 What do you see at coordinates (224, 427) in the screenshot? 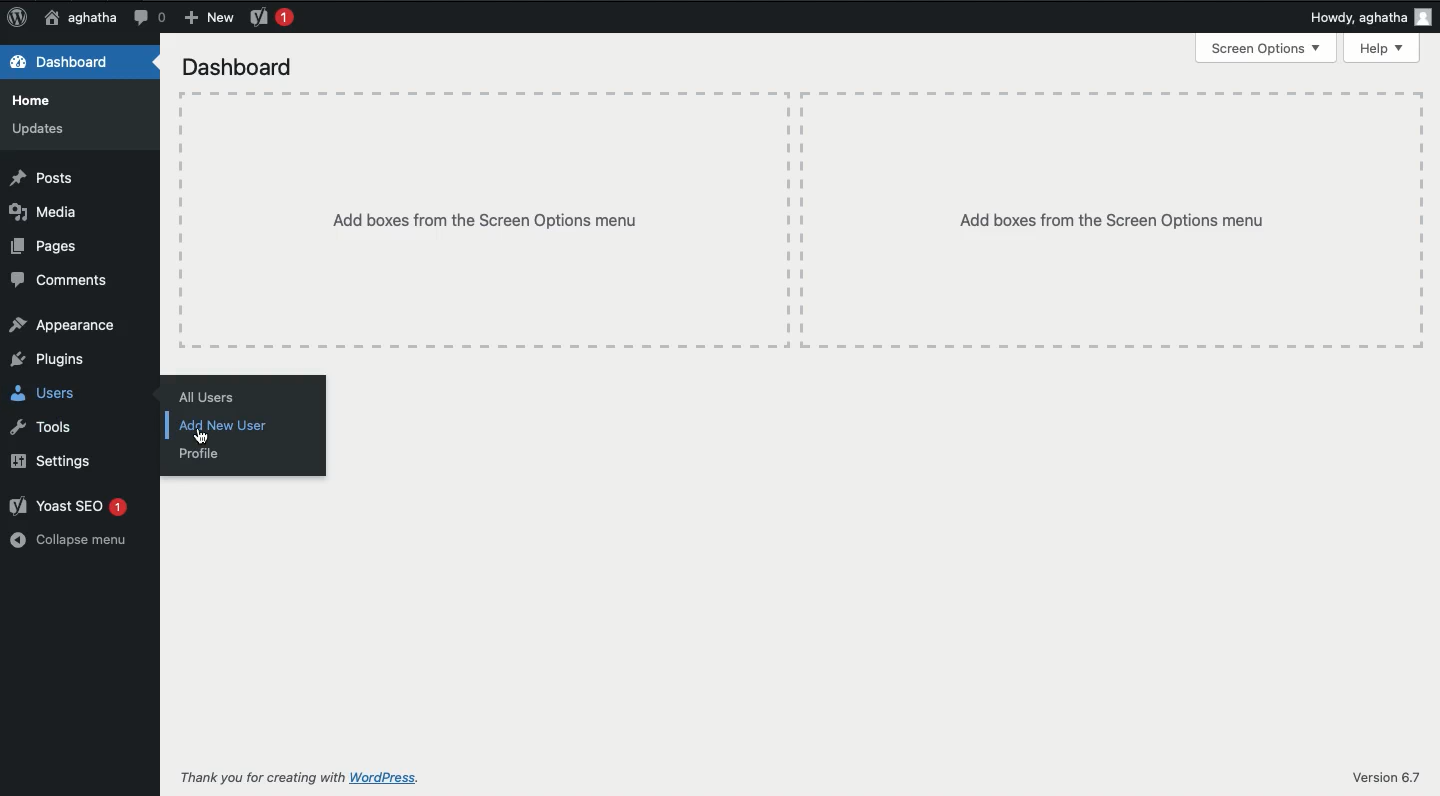
I see `Click on add new user` at bounding box center [224, 427].